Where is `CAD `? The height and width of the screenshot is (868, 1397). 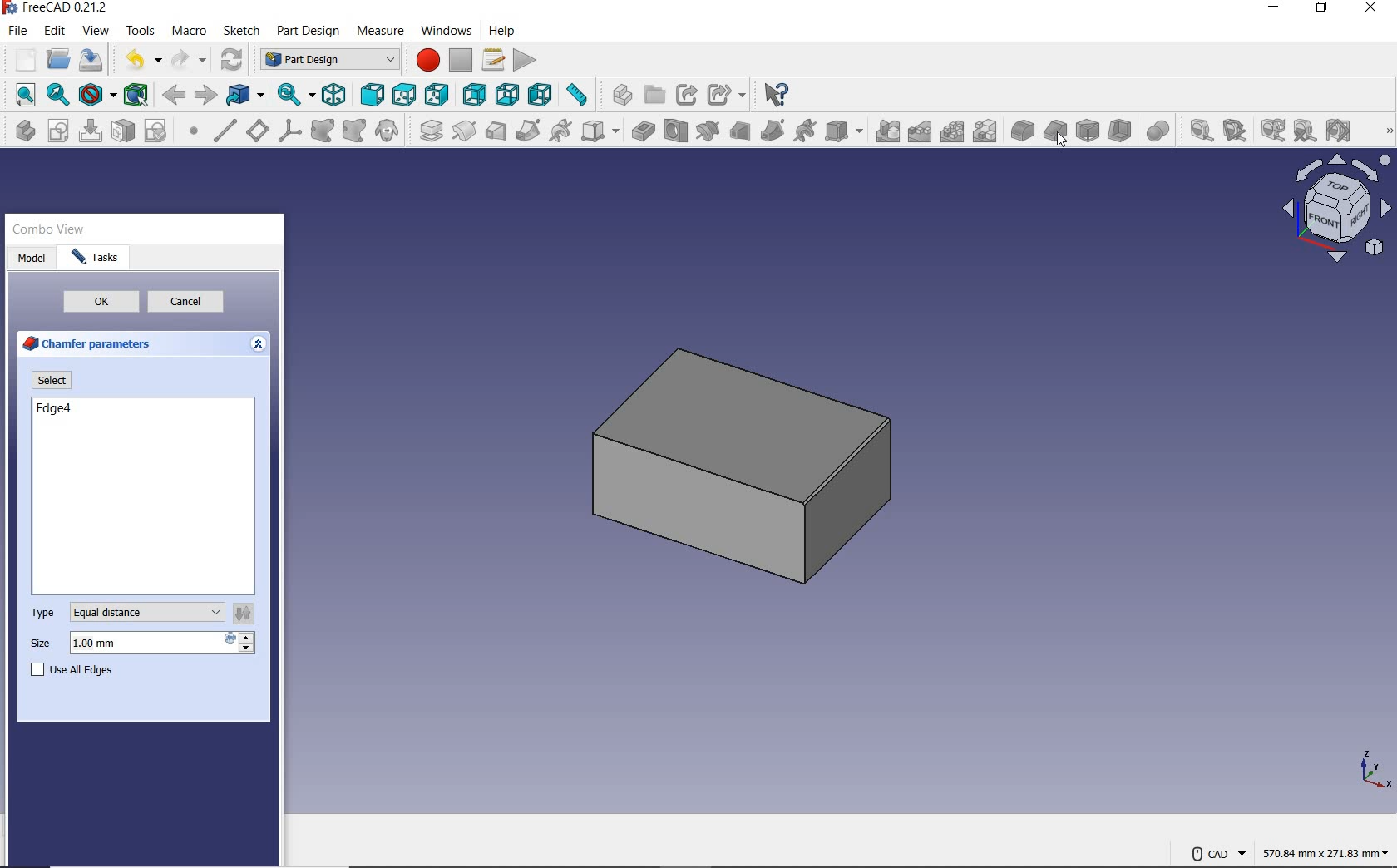
CAD  is located at coordinates (1216, 853).